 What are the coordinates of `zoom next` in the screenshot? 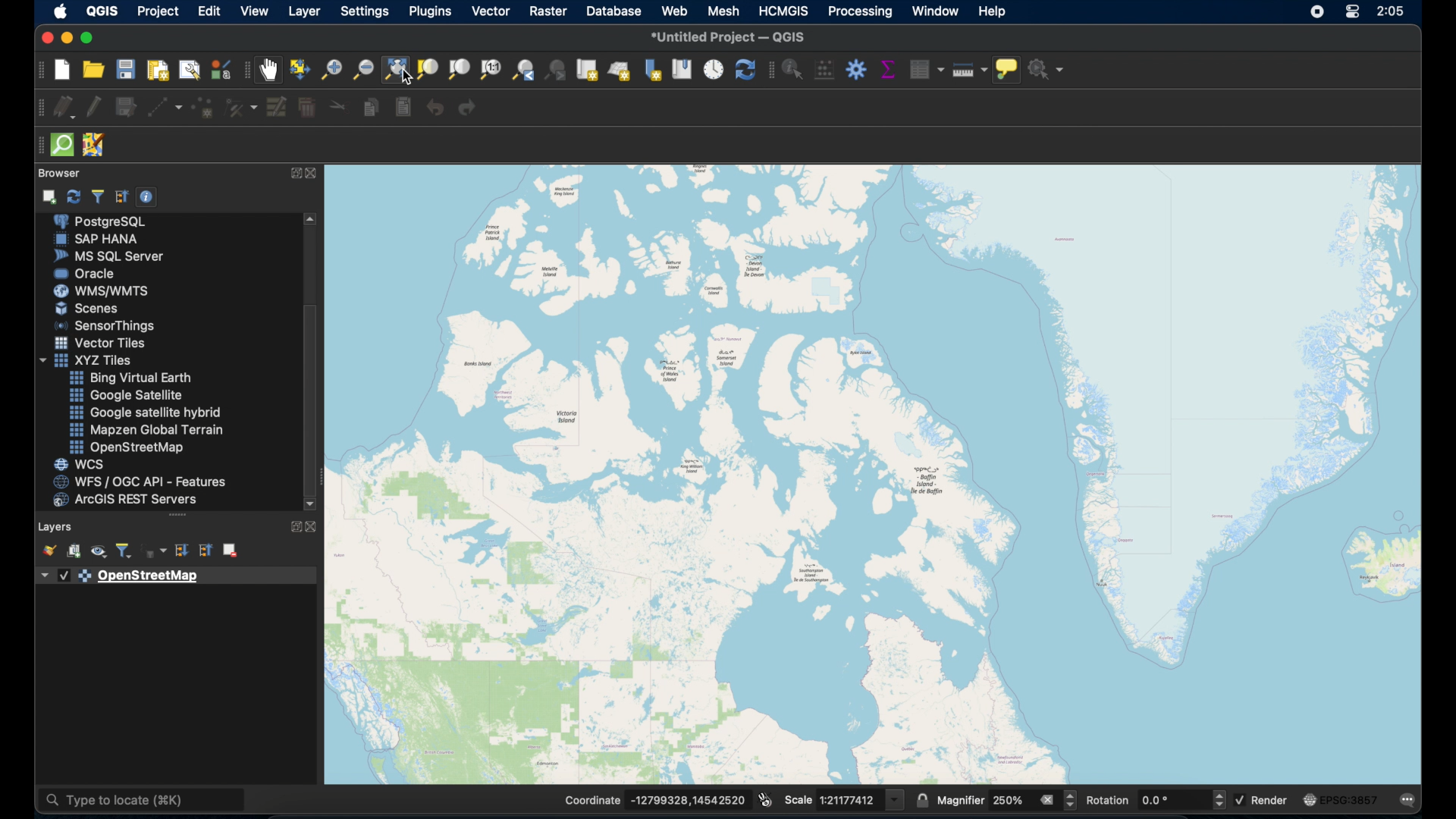 It's located at (557, 69).